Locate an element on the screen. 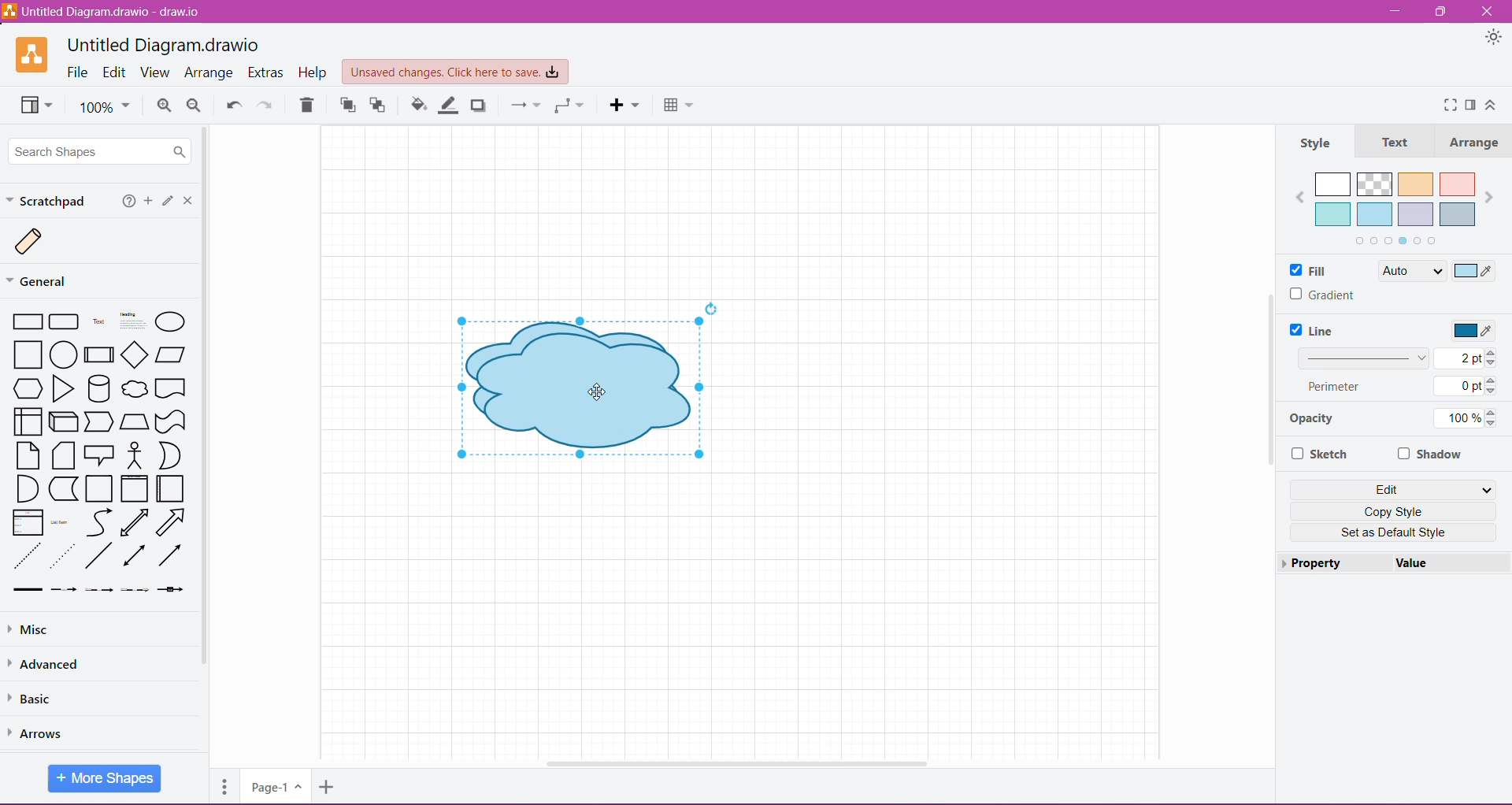  Fill Color is located at coordinates (1313, 271).